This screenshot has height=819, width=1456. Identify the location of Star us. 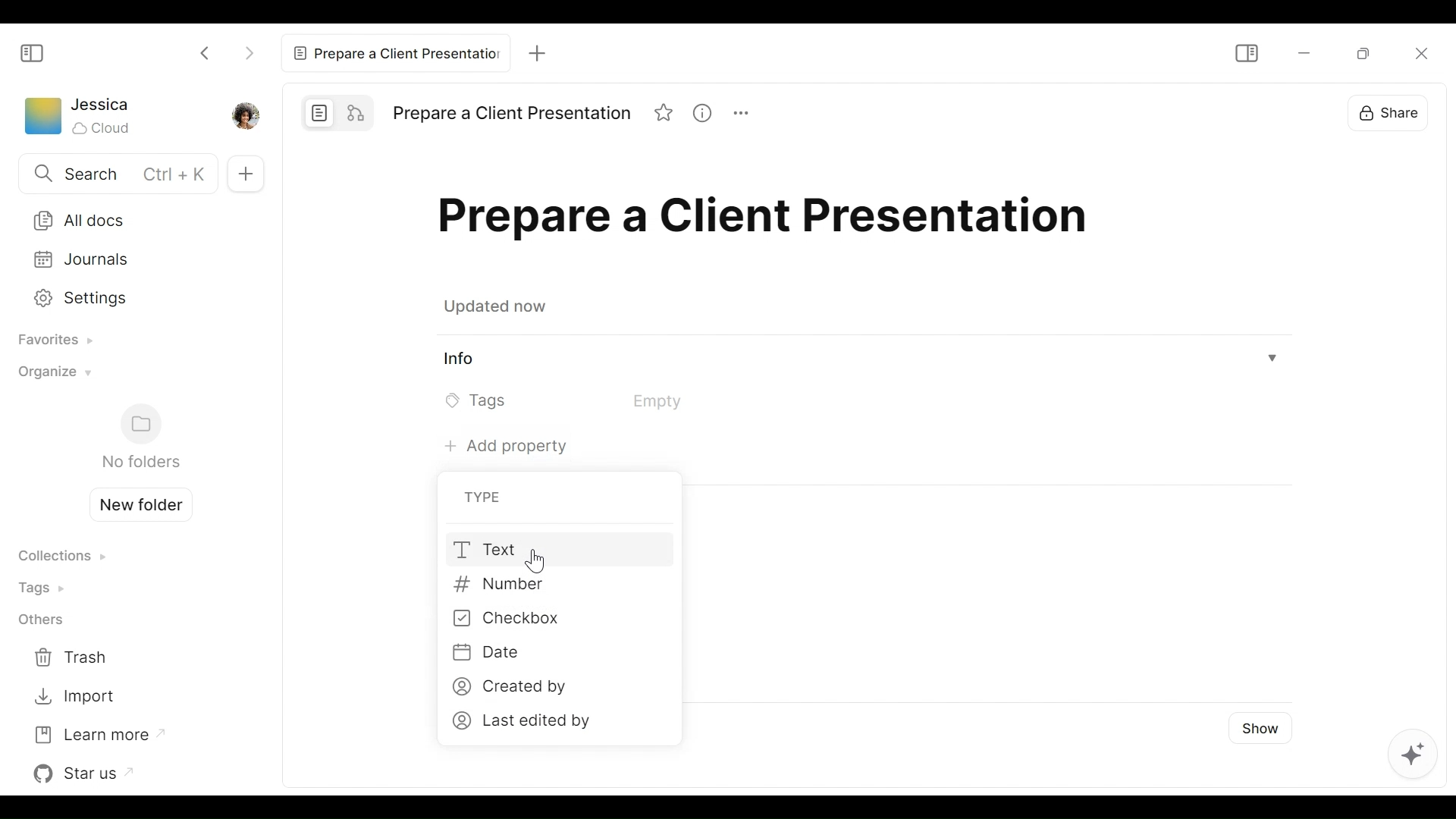
(87, 773).